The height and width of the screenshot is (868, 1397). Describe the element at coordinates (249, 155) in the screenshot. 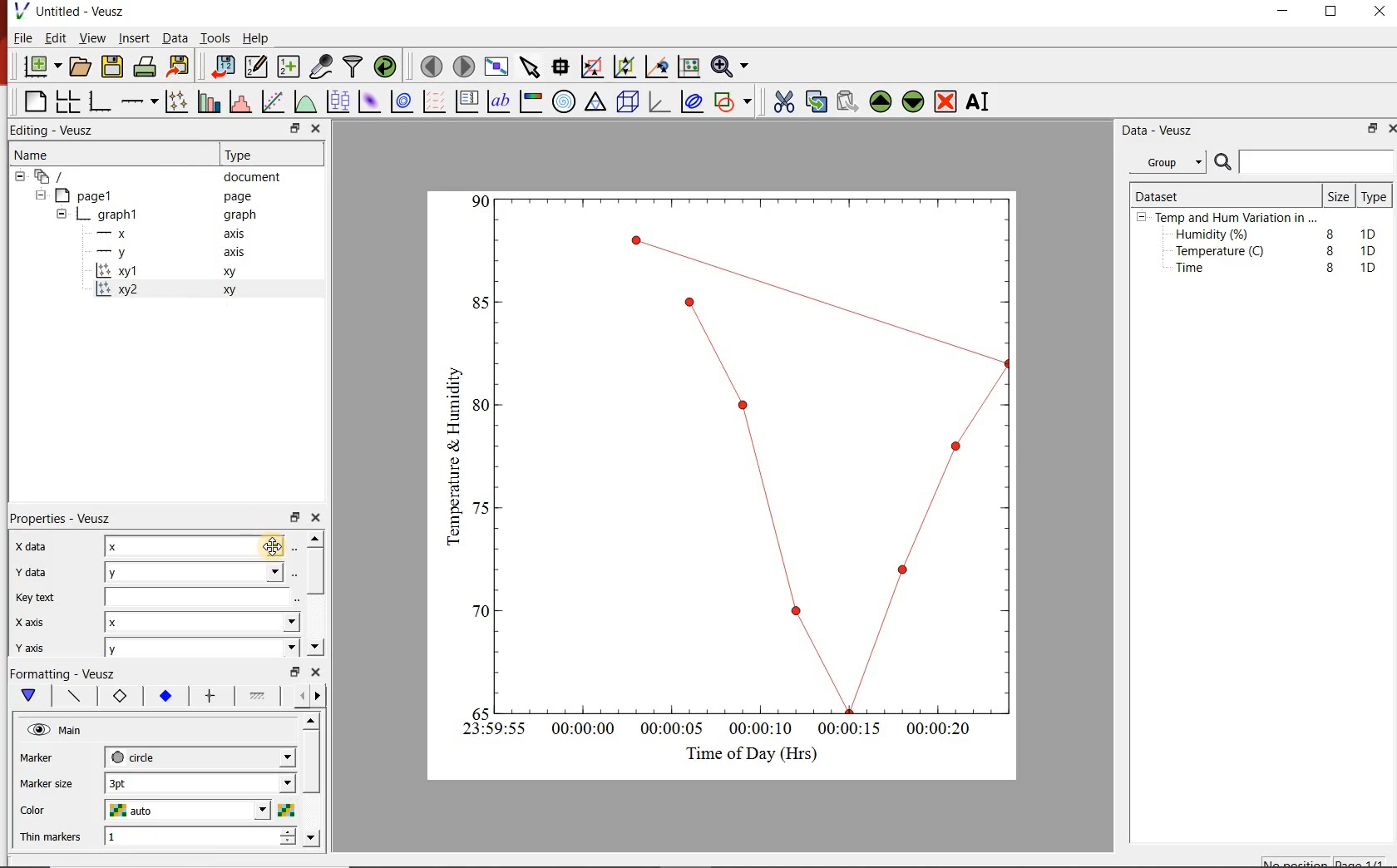

I see `Type` at that location.